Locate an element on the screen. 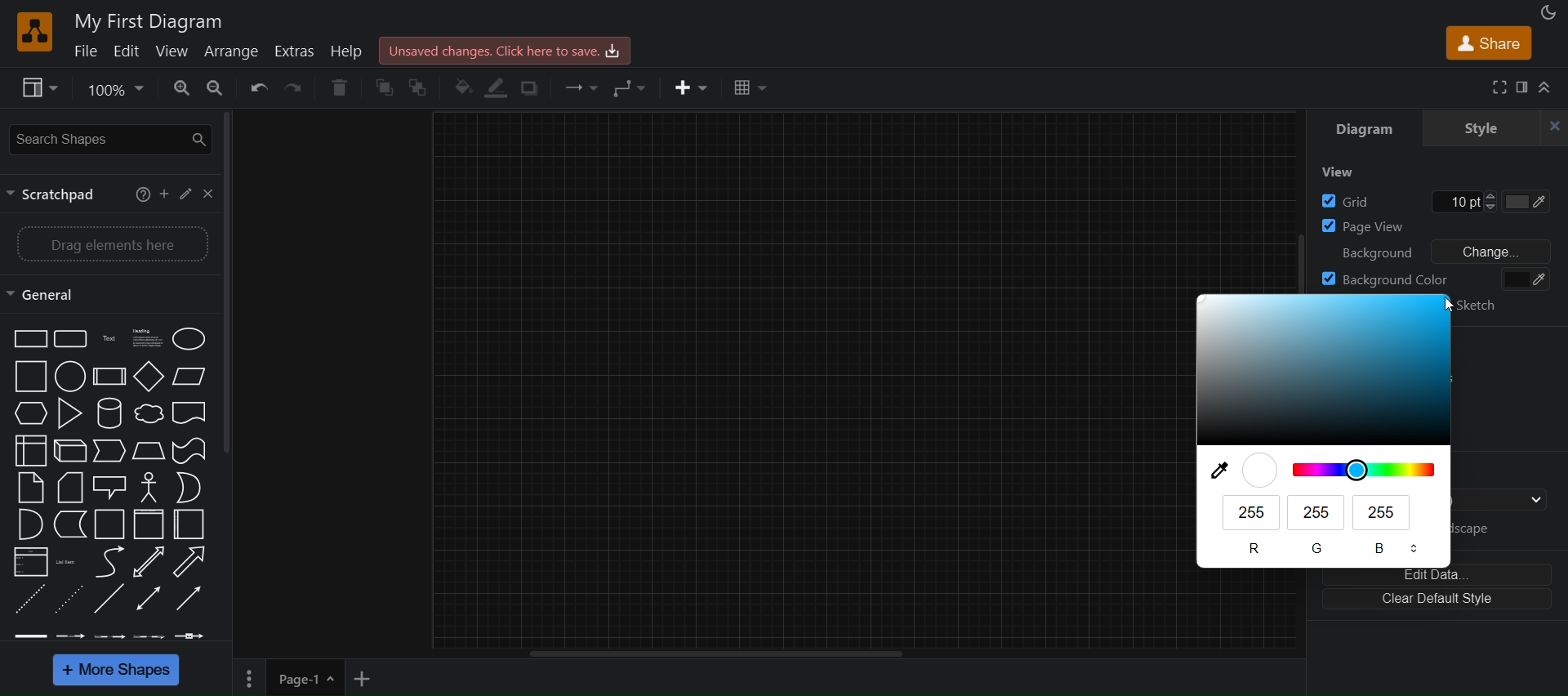 The image size is (1568, 696). zoom out is located at coordinates (214, 90).